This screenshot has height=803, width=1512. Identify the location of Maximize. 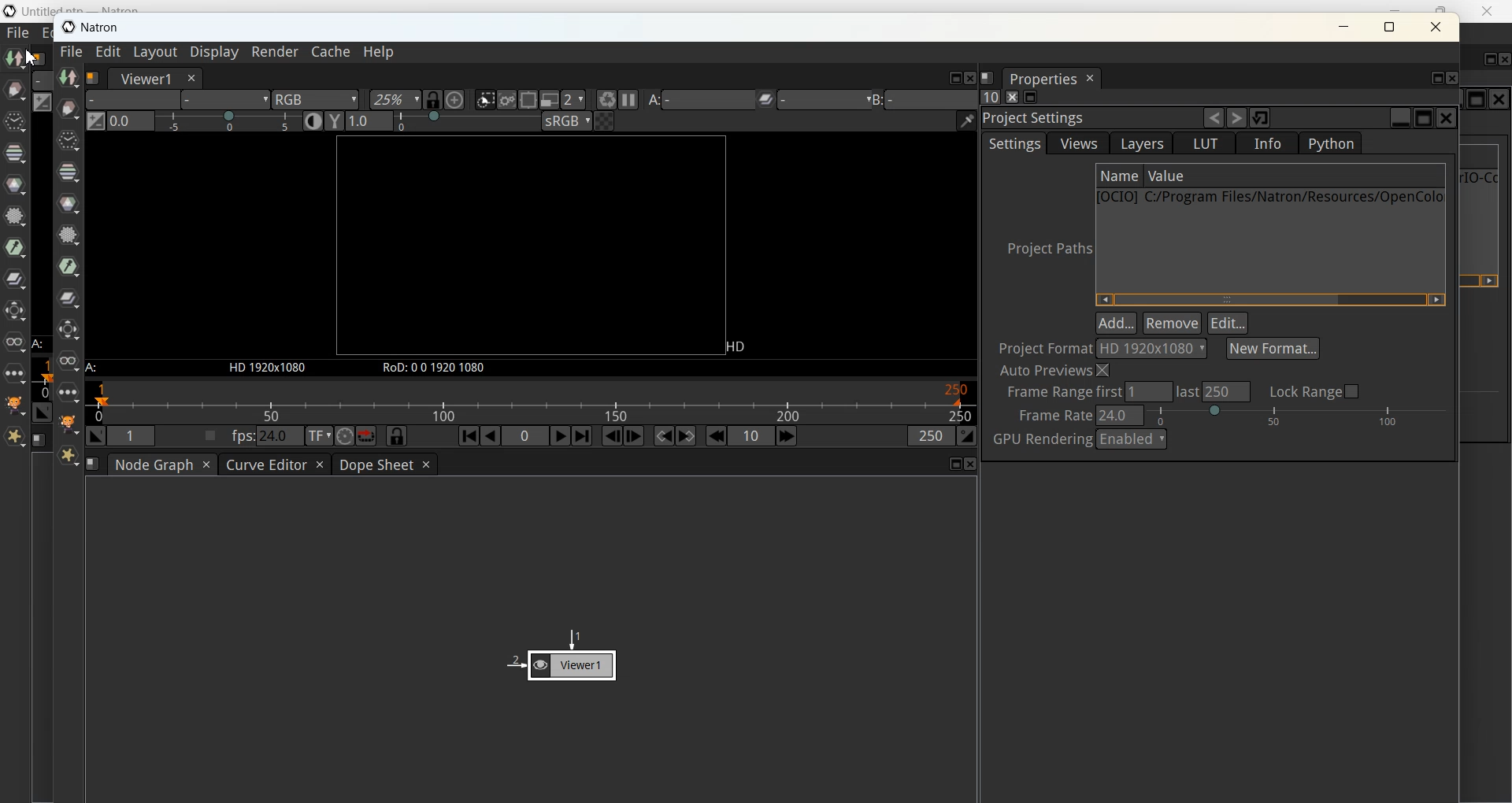
(1491, 59).